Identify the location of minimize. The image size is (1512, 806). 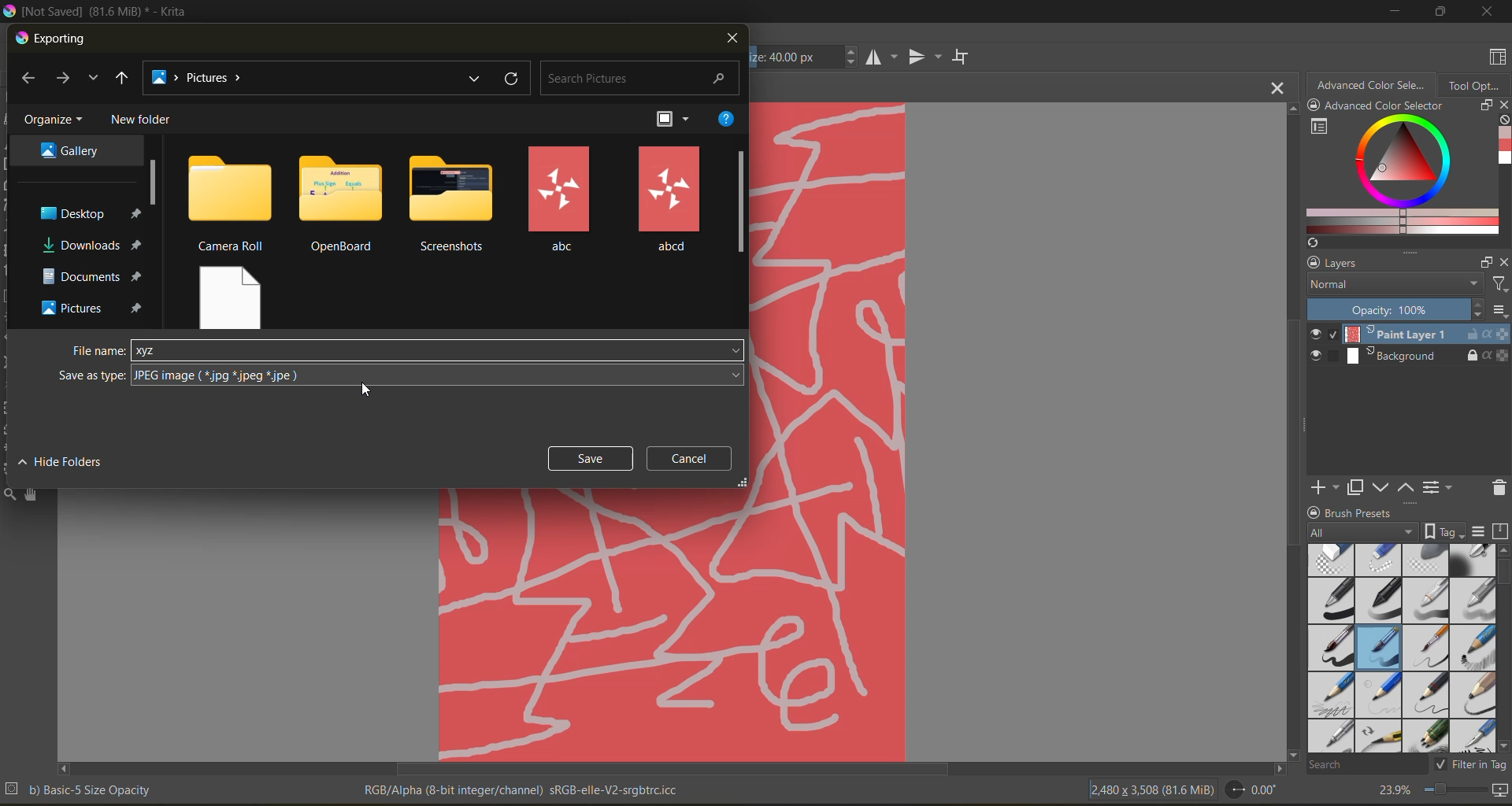
(1392, 10).